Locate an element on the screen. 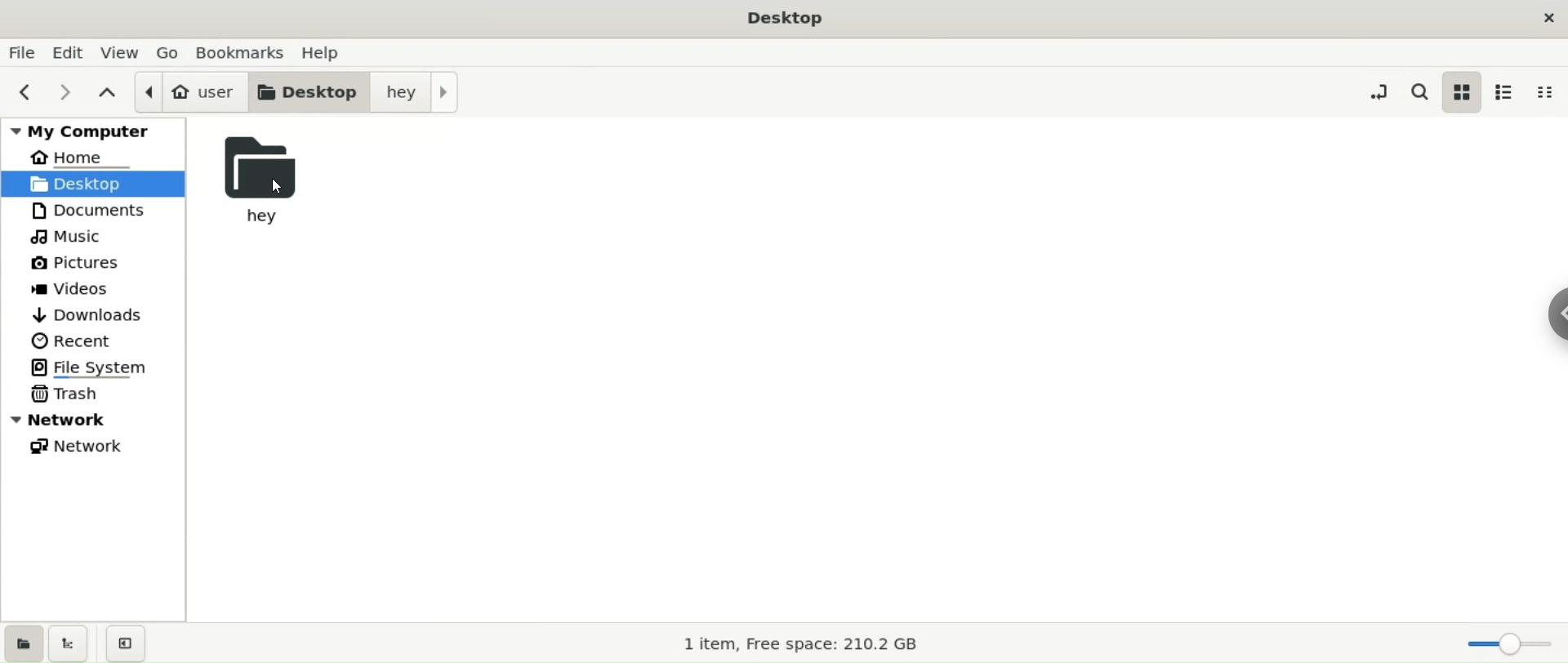 The width and height of the screenshot is (1568, 663). next is located at coordinates (71, 94).